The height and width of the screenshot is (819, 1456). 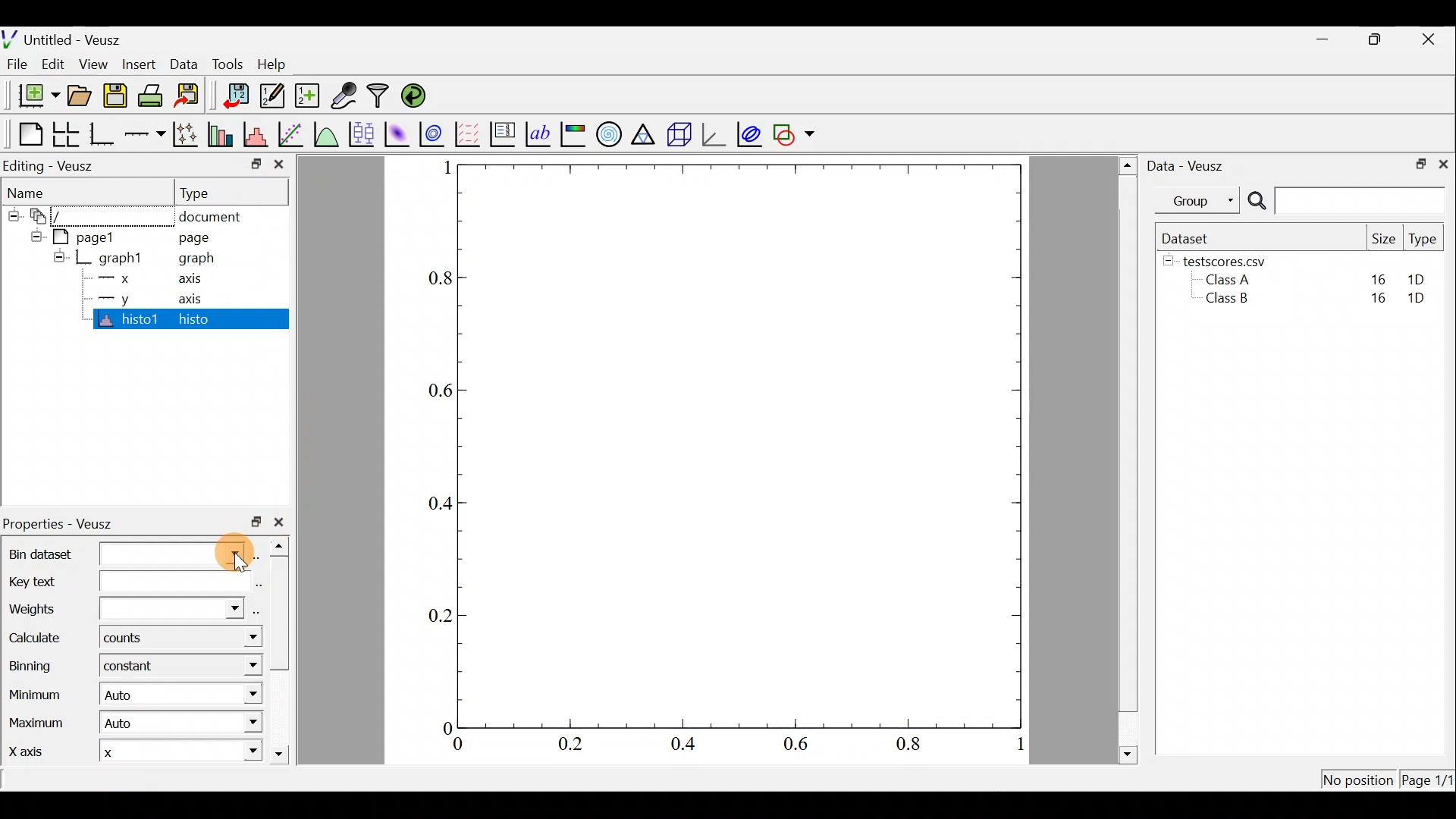 I want to click on Group, so click(x=1200, y=200).